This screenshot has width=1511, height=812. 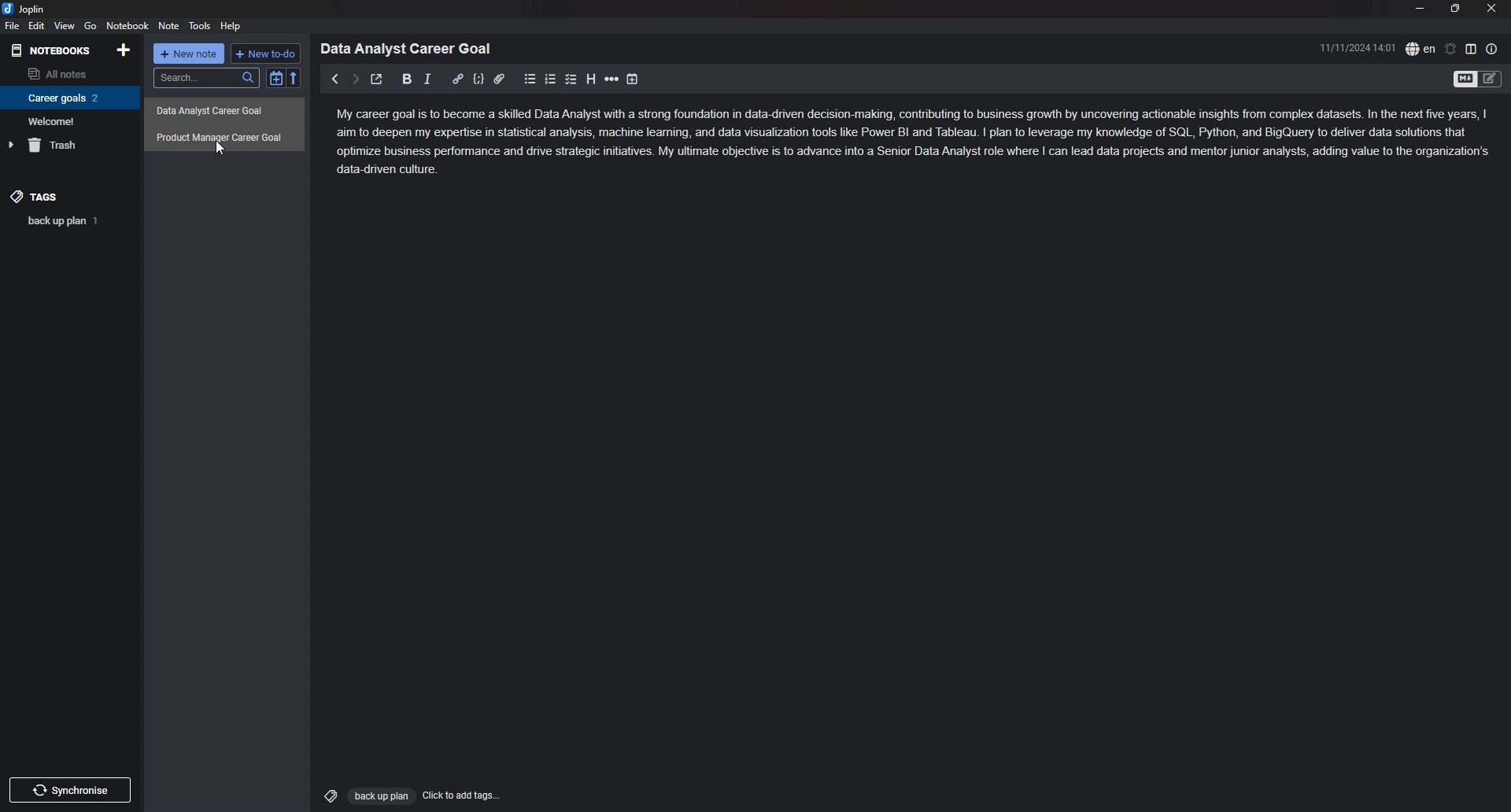 What do you see at coordinates (499, 79) in the screenshot?
I see `attachment` at bounding box center [499, 79].